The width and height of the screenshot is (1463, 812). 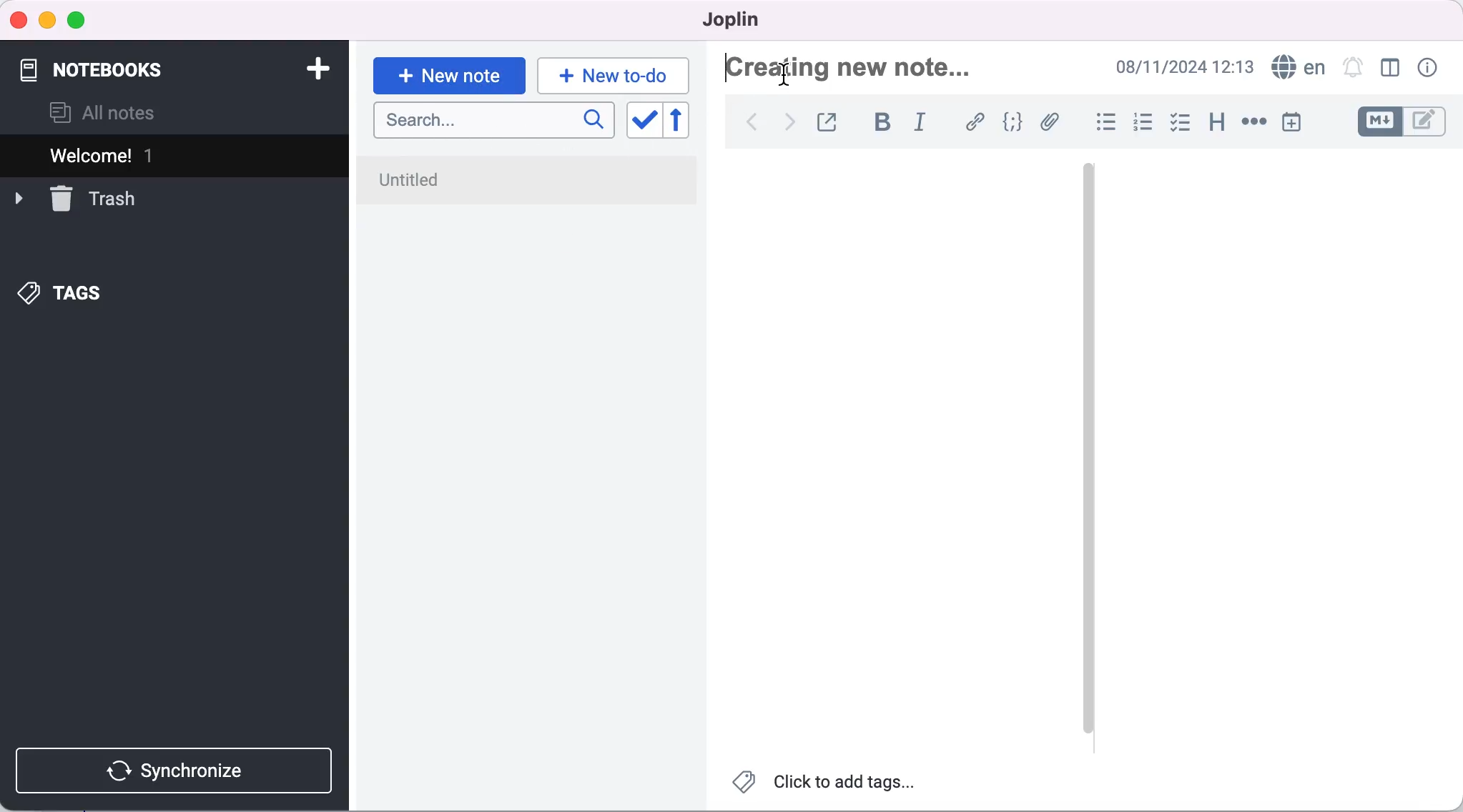 What do you see at coordinates (1181, 66) in the screenshot?
I see `08/11/2024 12:13` at bounding box center [1181, 66].